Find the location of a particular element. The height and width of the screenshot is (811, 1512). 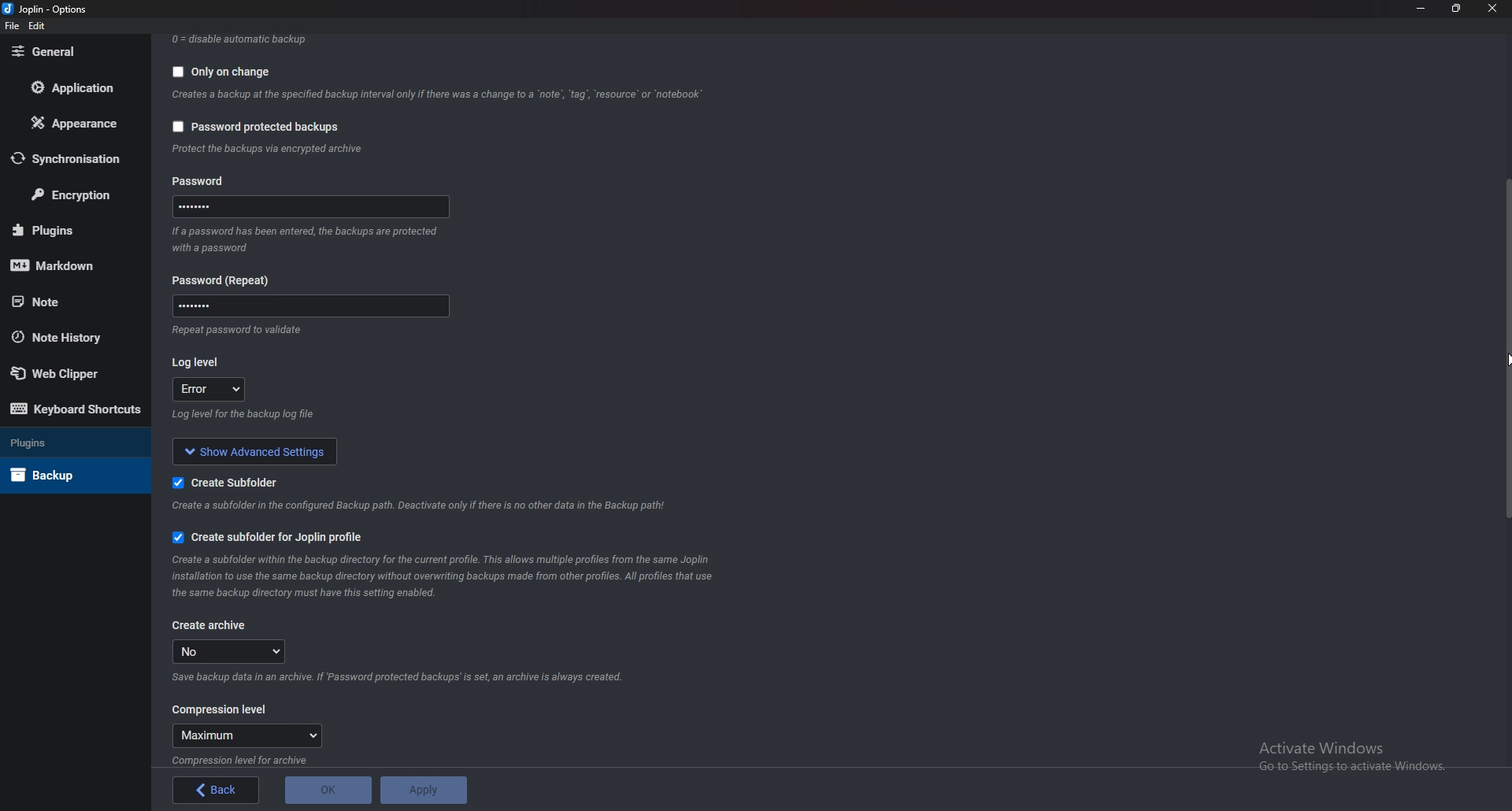

Back up is located at coordinates (69, 474).